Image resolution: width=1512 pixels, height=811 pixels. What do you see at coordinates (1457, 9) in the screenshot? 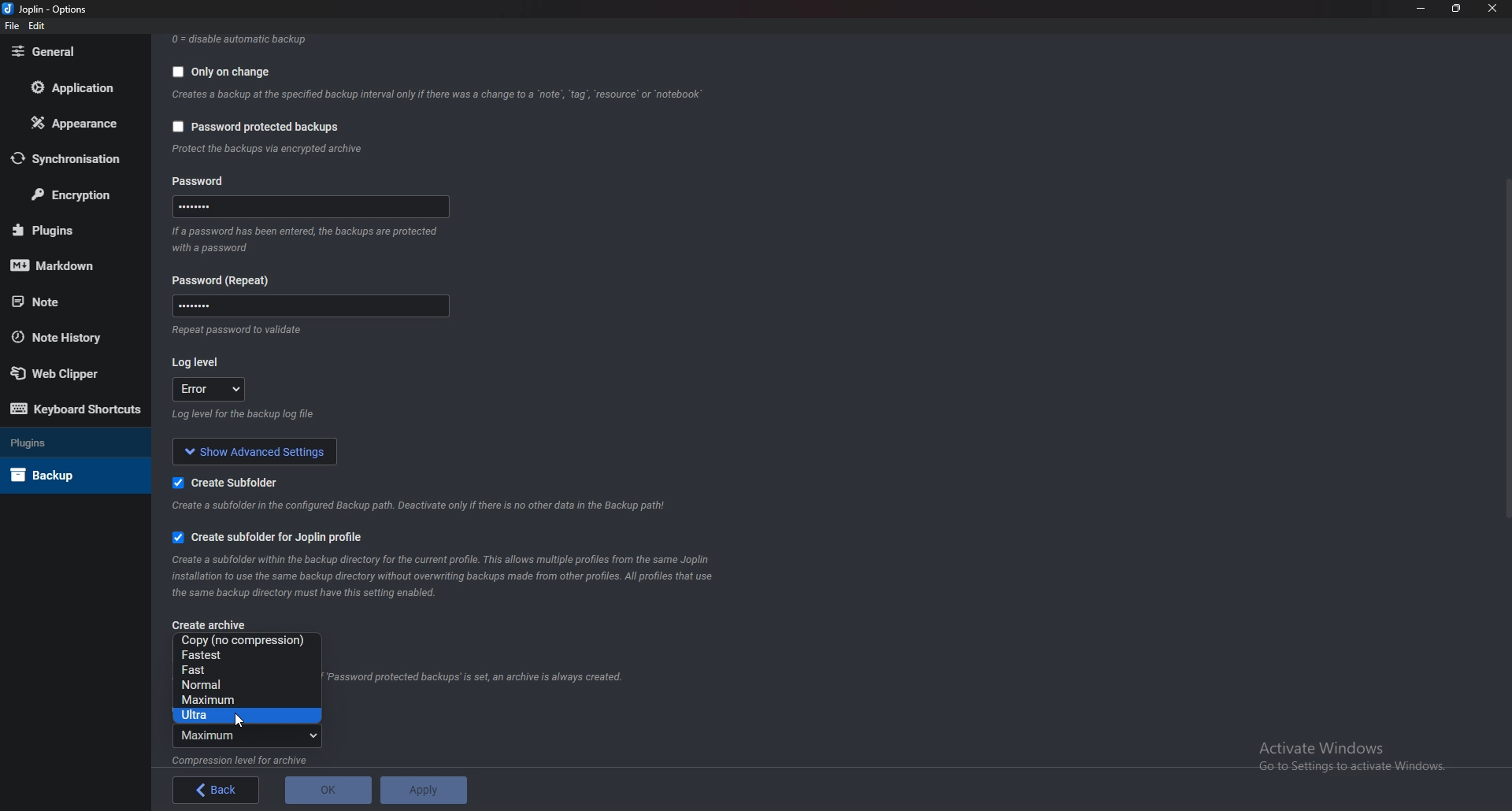
I see `Resize` at bounding box center [1457, 9].